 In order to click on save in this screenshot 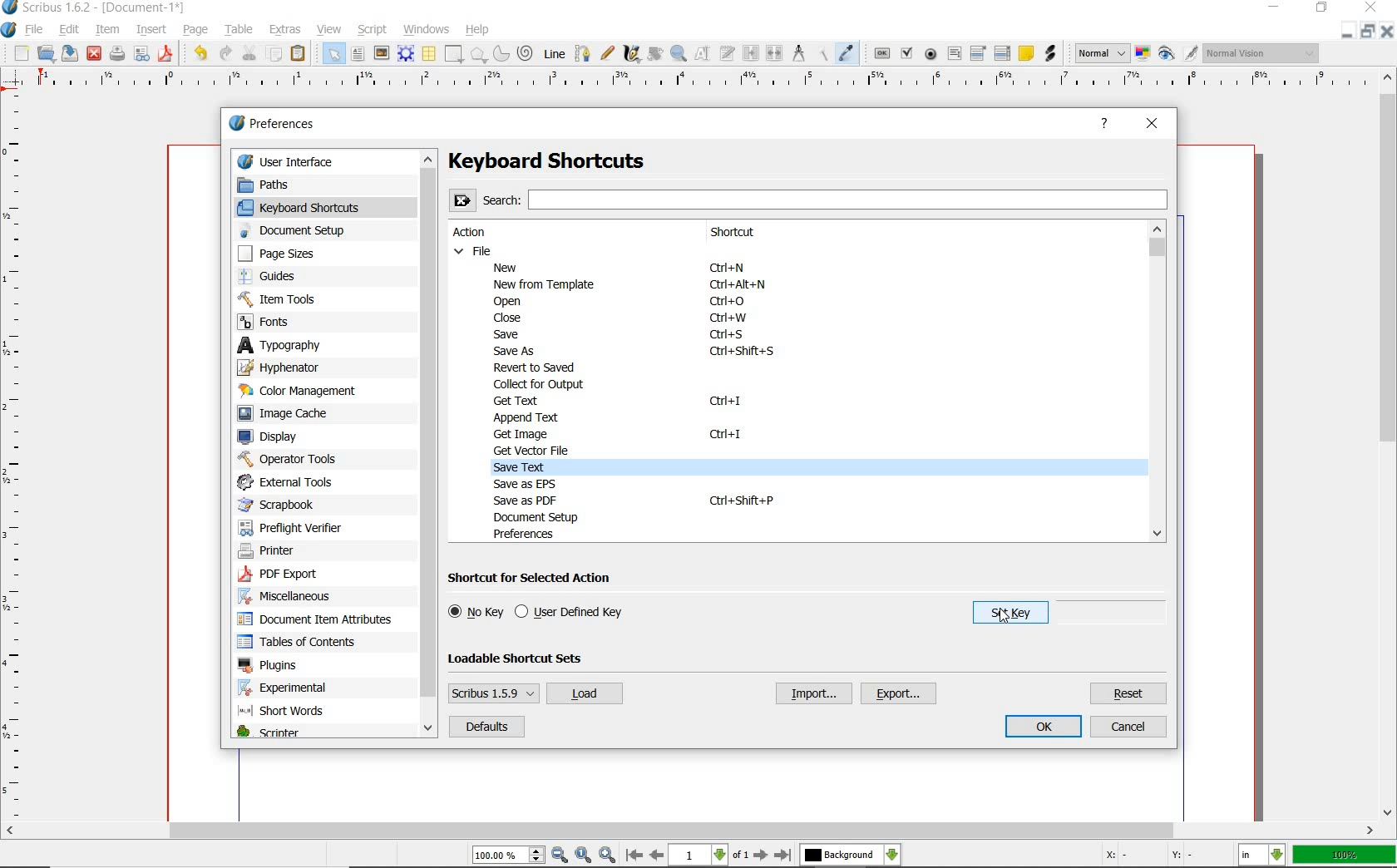, I will do `click(67, 53)`.